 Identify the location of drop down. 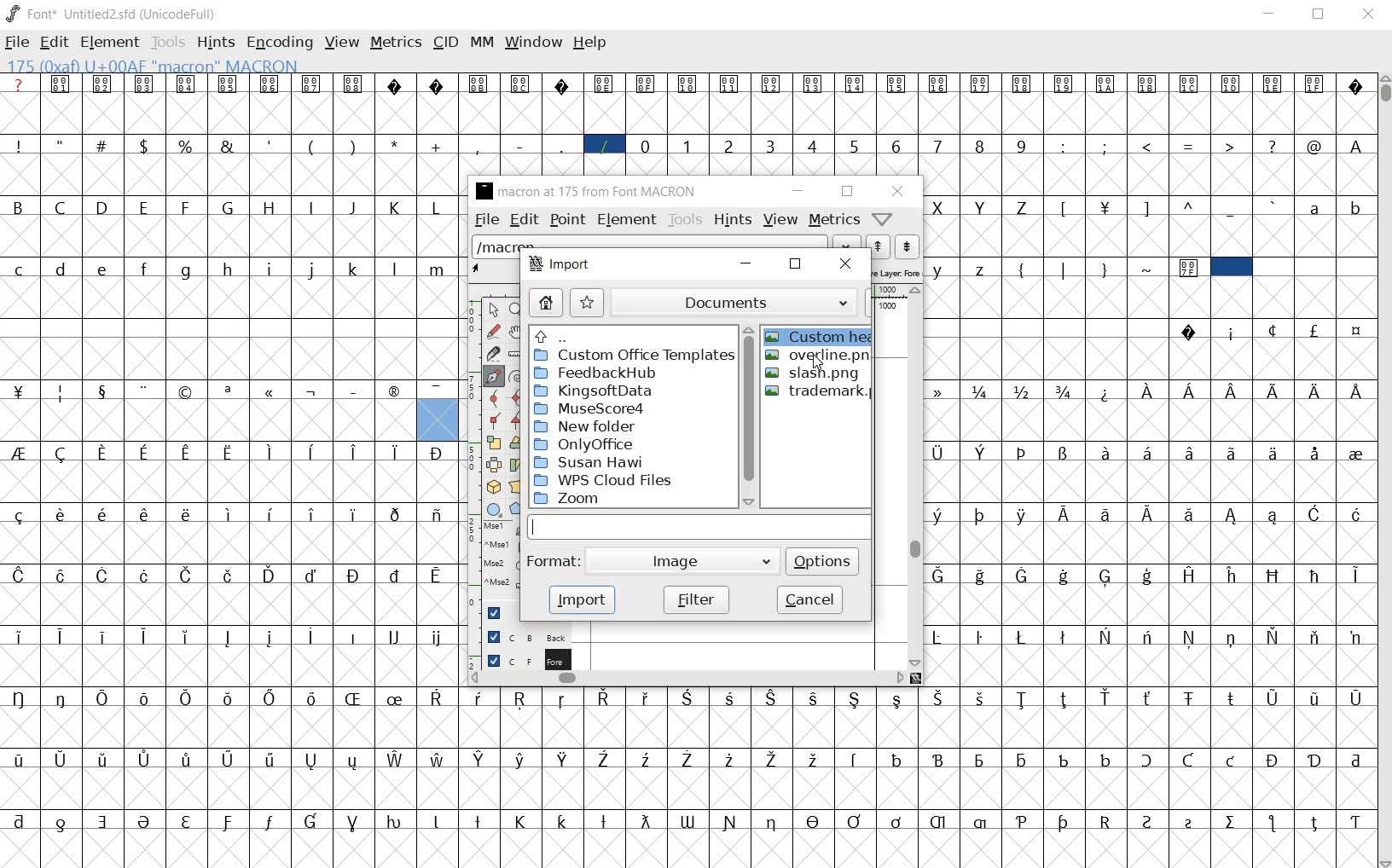
(763, 559).